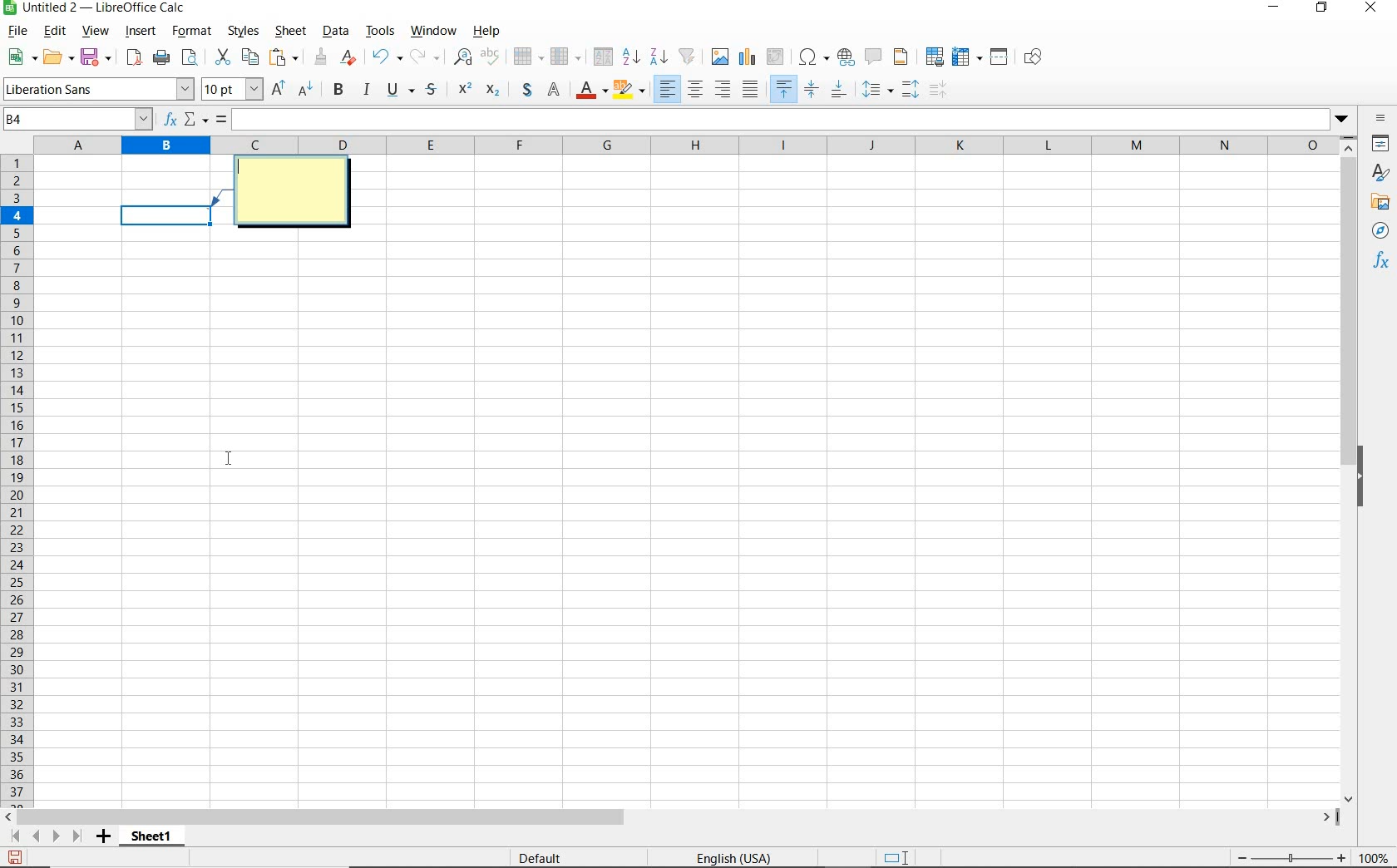 This screenshot has height=868, width=1397. Describe the element at coordinates (629, 91) in the screenshot. I see `background color` at that location.